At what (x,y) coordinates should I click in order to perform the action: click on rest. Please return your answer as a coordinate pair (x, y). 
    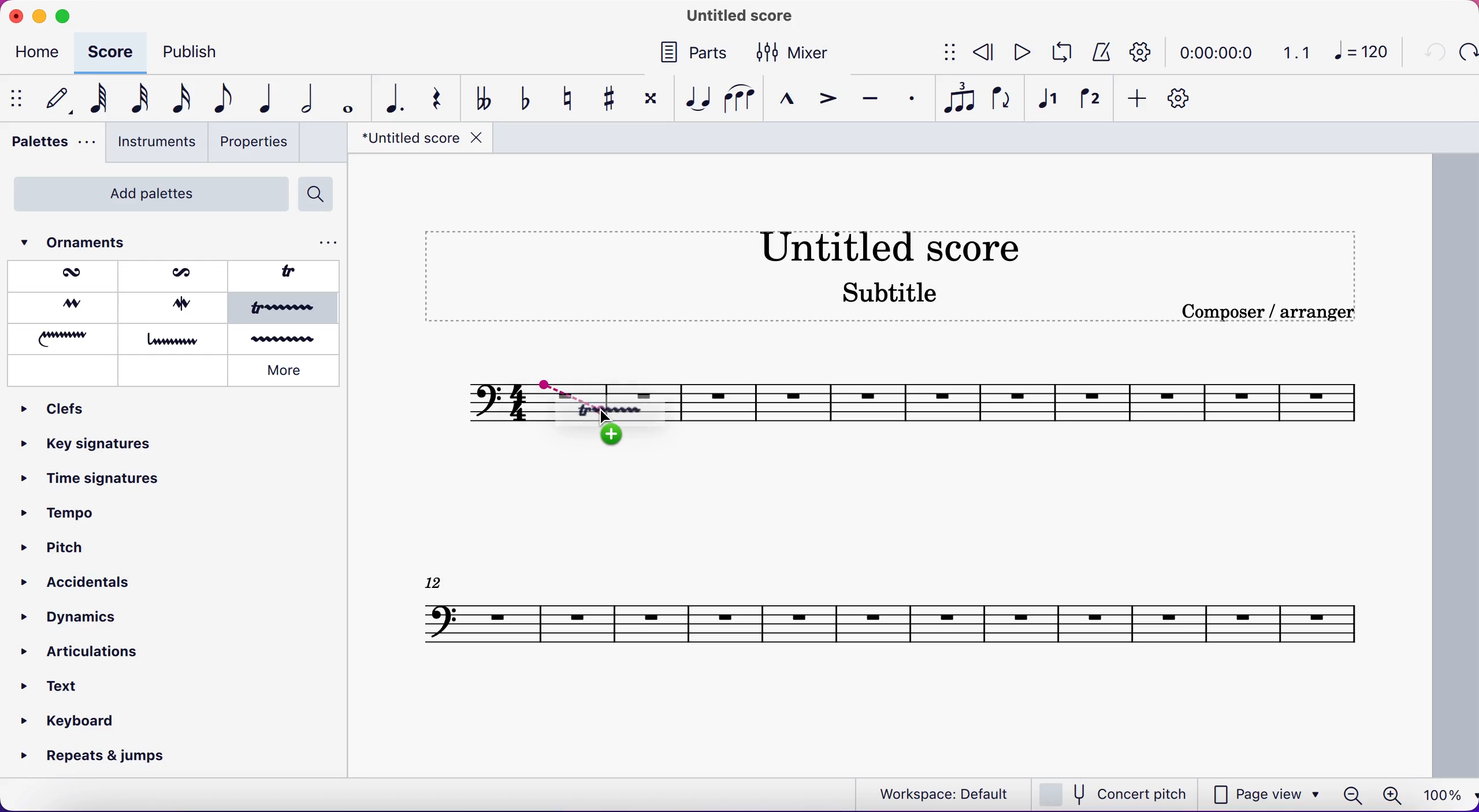
    Looking at the image, I should click on (436, 98).